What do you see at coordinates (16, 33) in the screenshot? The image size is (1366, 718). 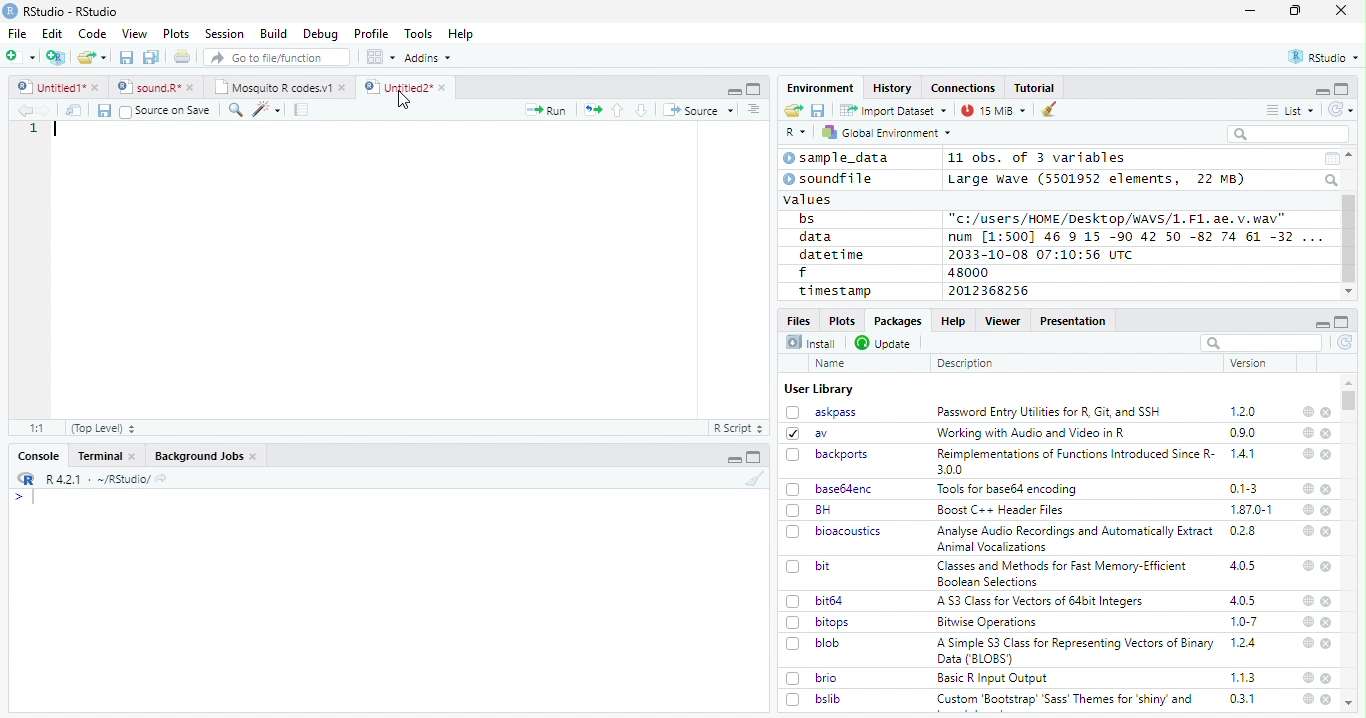 I see `File` at bounding box center [16, 33].